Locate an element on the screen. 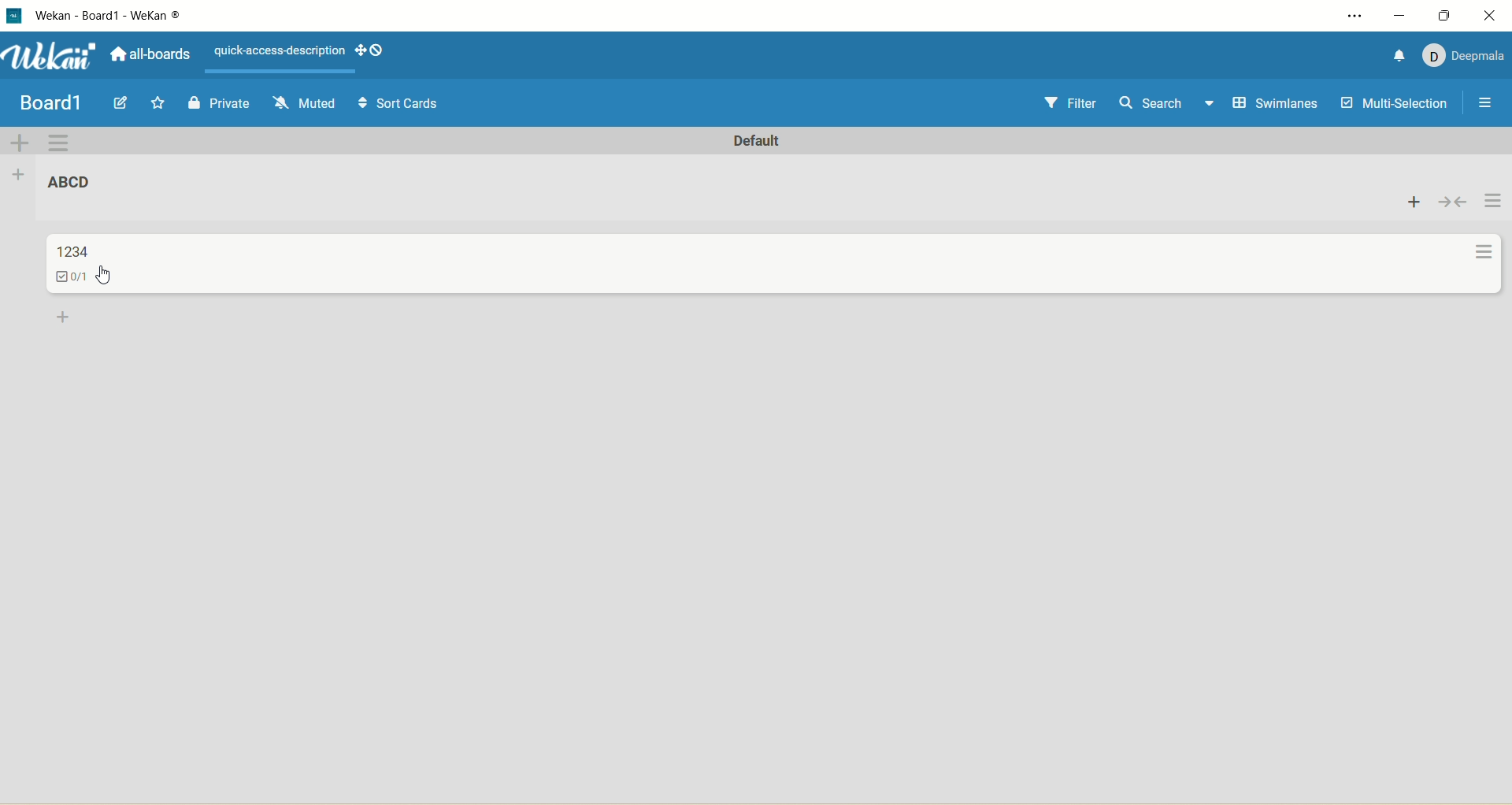 This screenshot has width=1512, height=805. notification is located at coordinates (1396, 58).